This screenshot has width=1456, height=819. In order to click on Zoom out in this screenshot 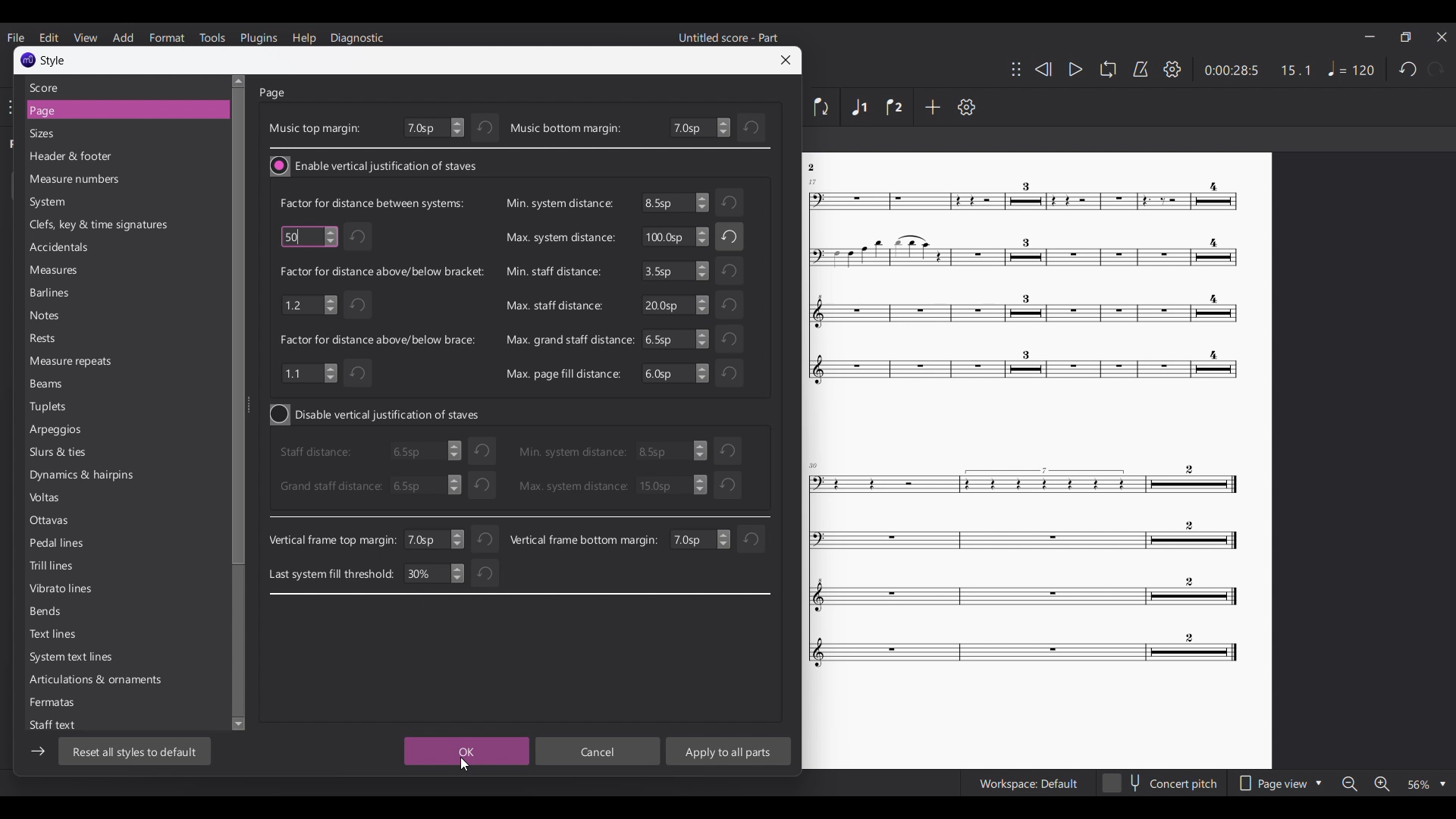, I will do `click(1350, 784)`.